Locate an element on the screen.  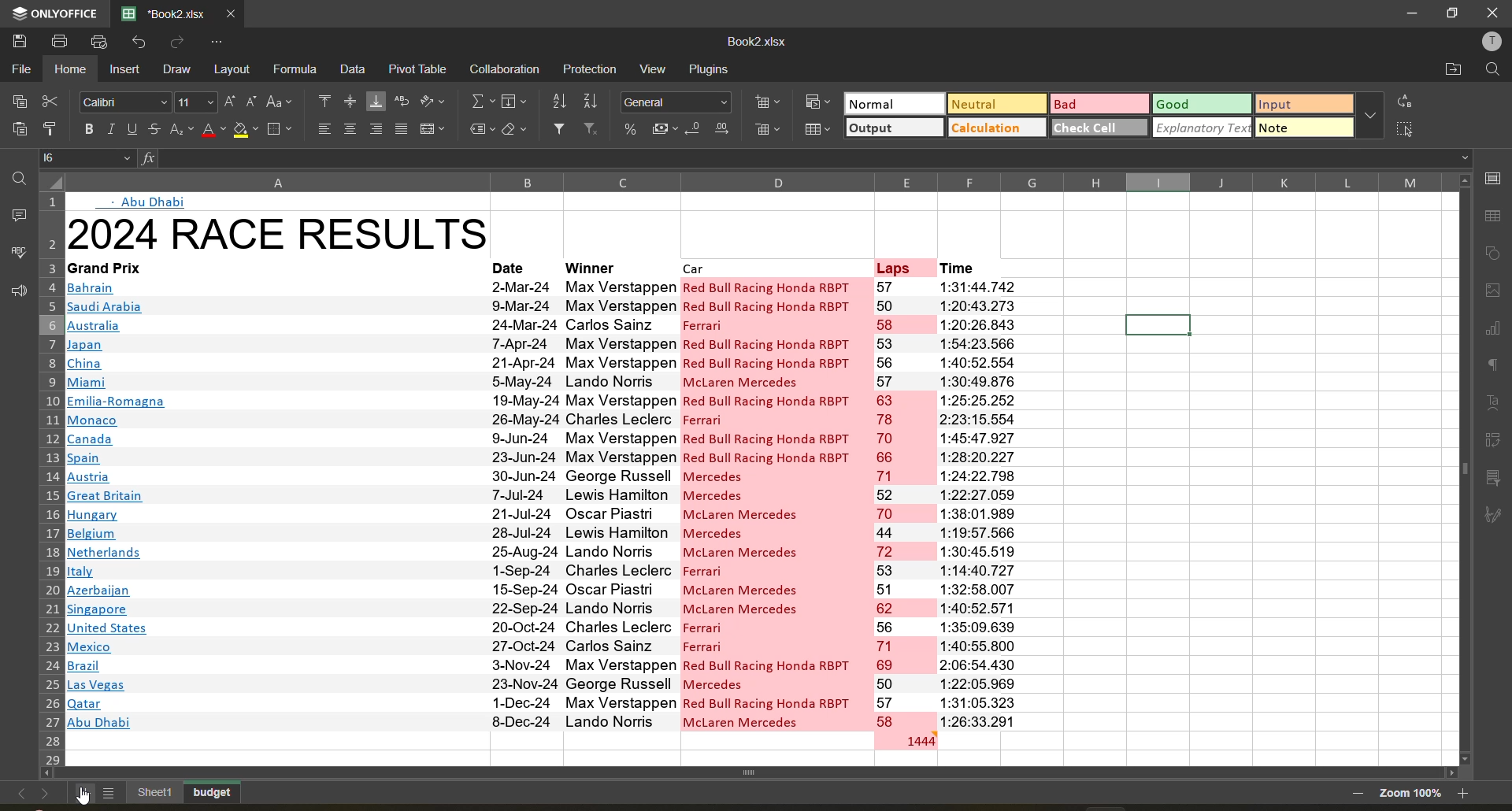
insert is located at coordinates (124, 69).